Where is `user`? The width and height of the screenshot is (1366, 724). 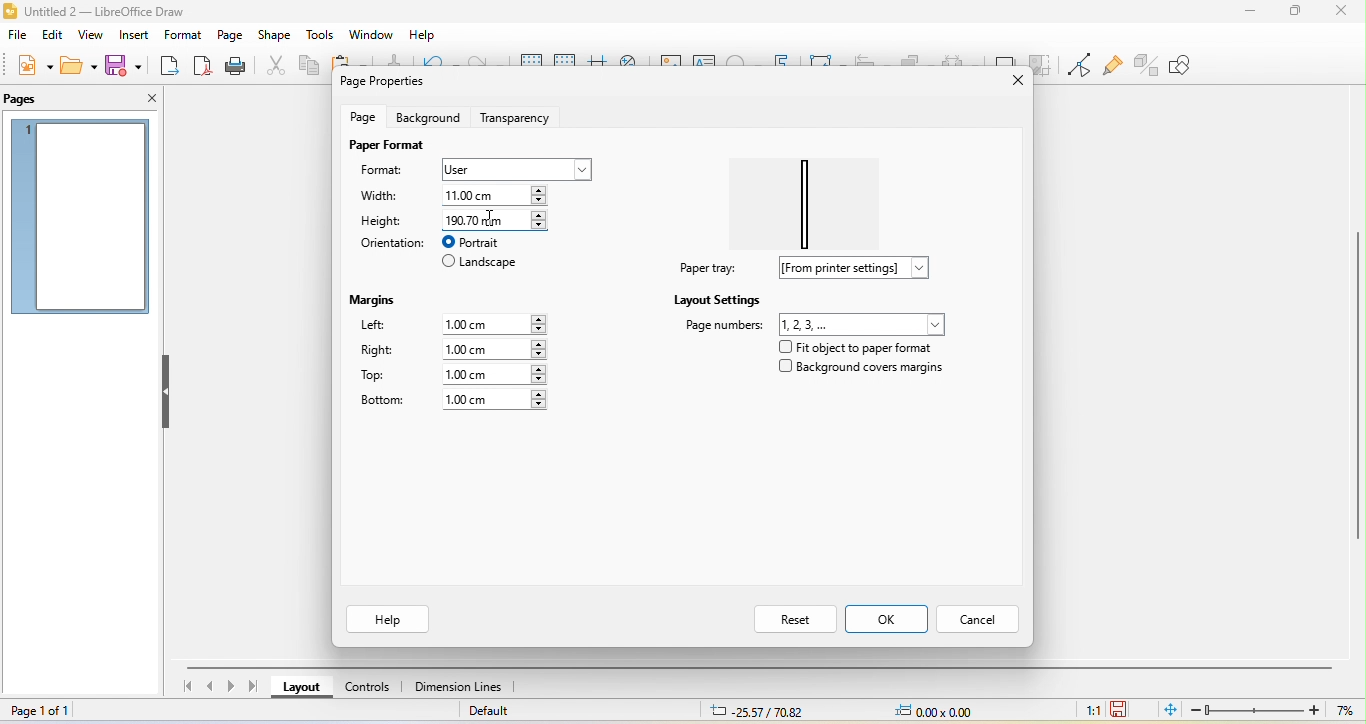
user is located at coordinates (514, 169).